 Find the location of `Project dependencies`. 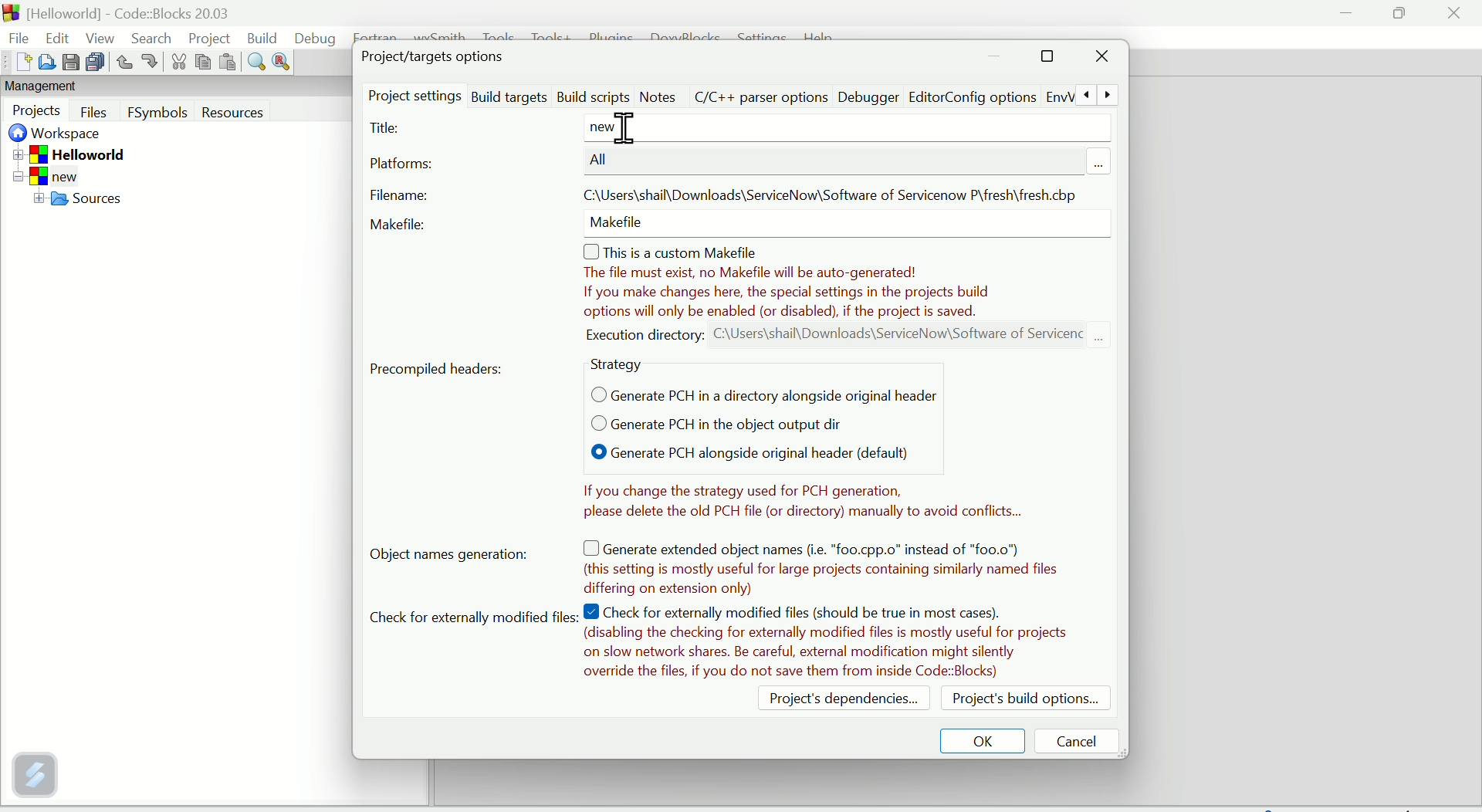

Project dependencies is located at coordinates (834, 702).